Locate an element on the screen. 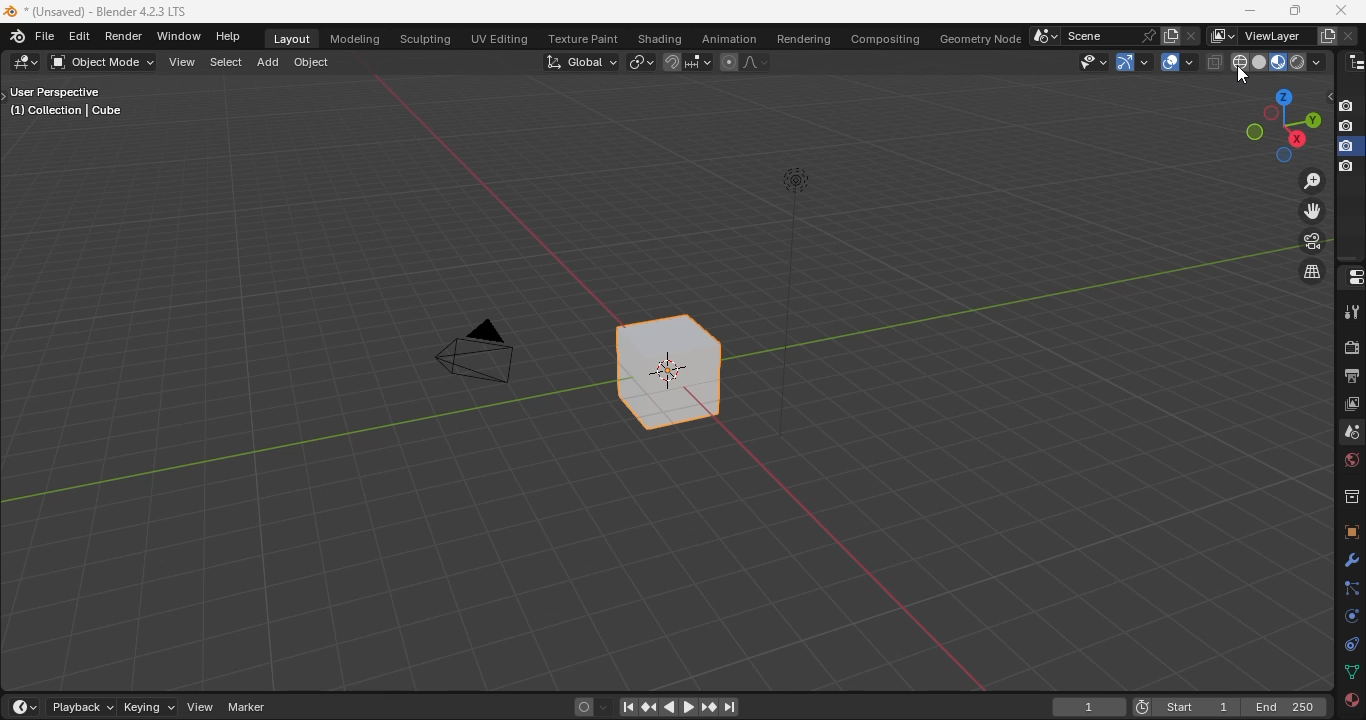 This screenshot has height=720, width=1366. show gizmo is located at coordinates (1133, 62).